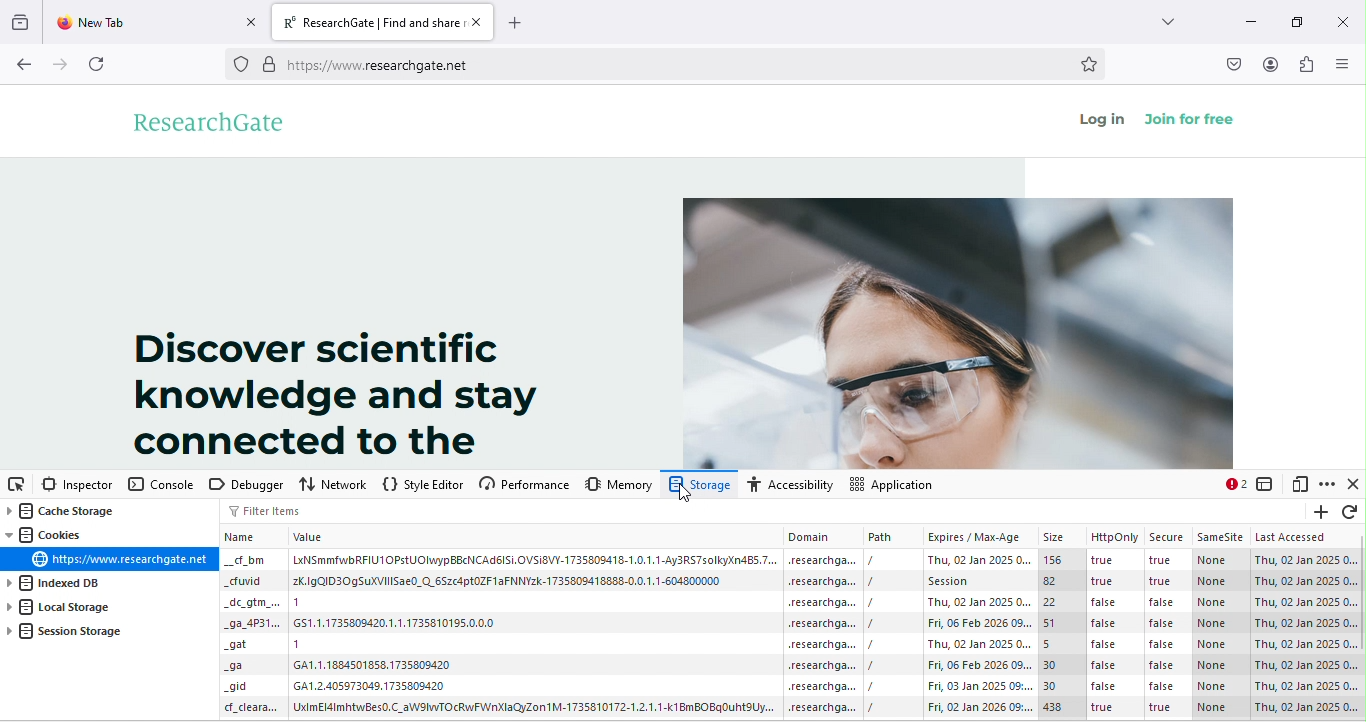  Describe the element at coordinates (1308, 664) in the screenshot. I see `date` at that location.